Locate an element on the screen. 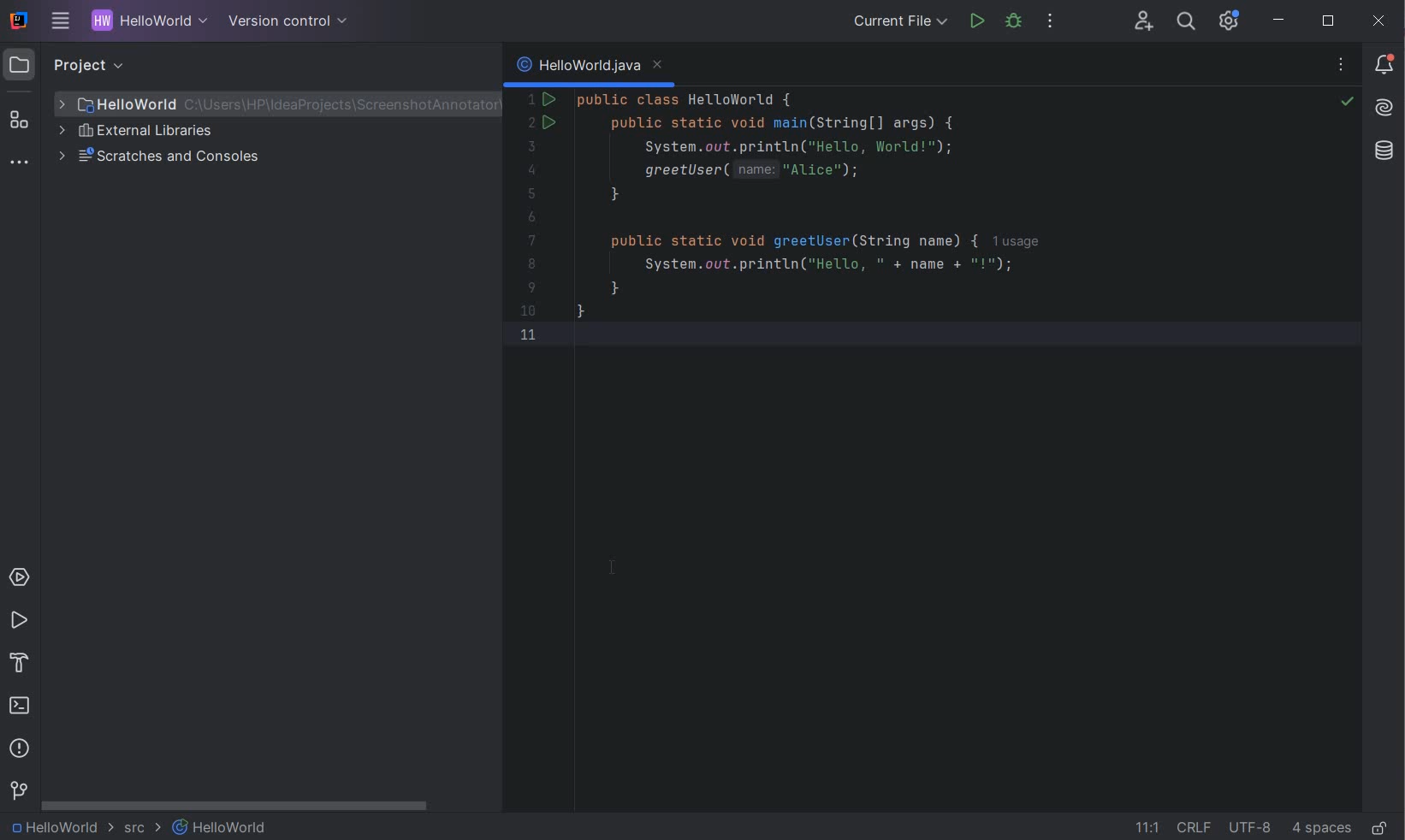  database is located at coordinates (1384, 151).